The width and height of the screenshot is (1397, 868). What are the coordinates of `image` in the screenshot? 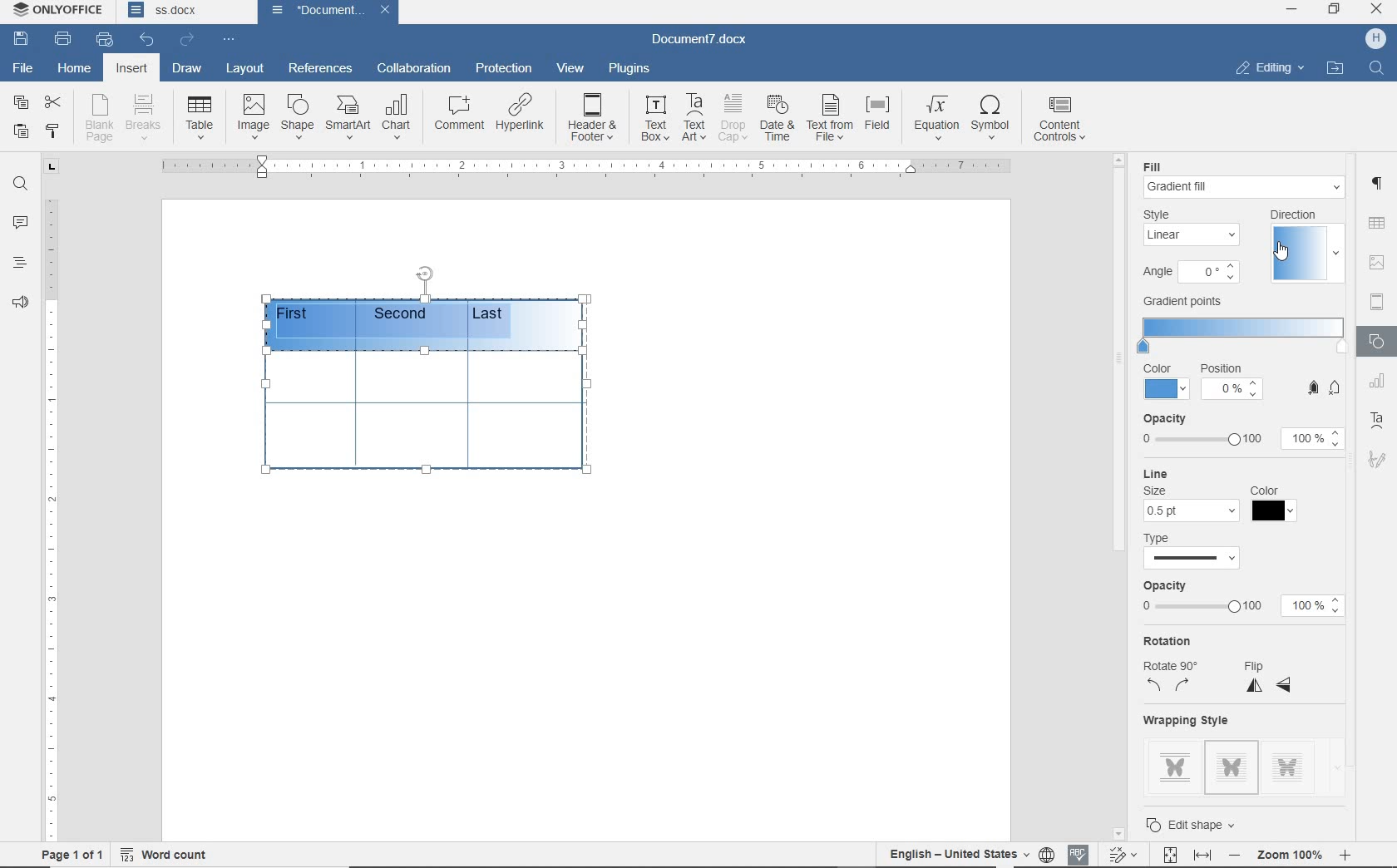 It's located at (254, 117).